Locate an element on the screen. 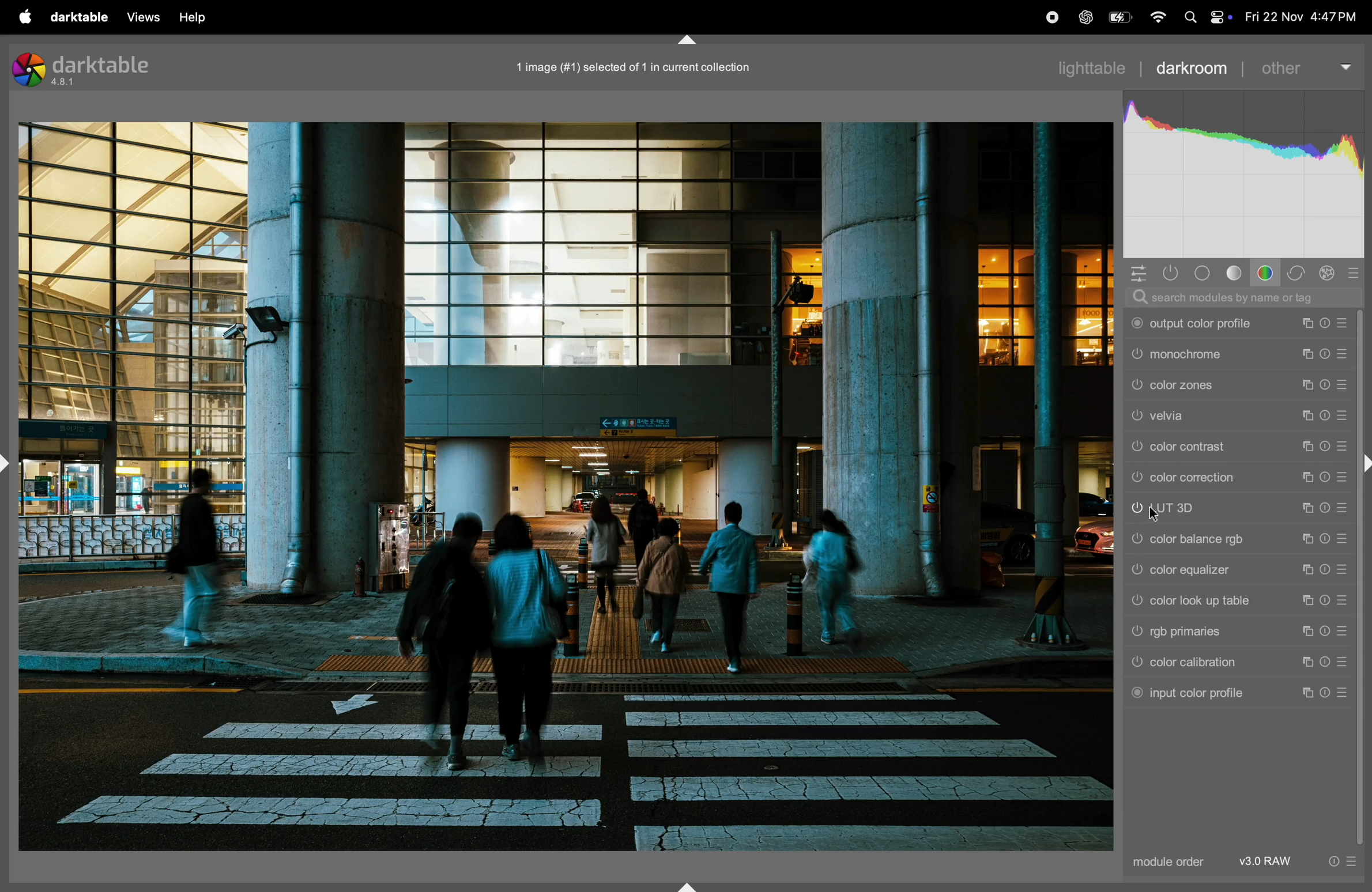 This screenshot has width=1372, height=892. shift+ctrl+l is located at coordinates (9, 462).